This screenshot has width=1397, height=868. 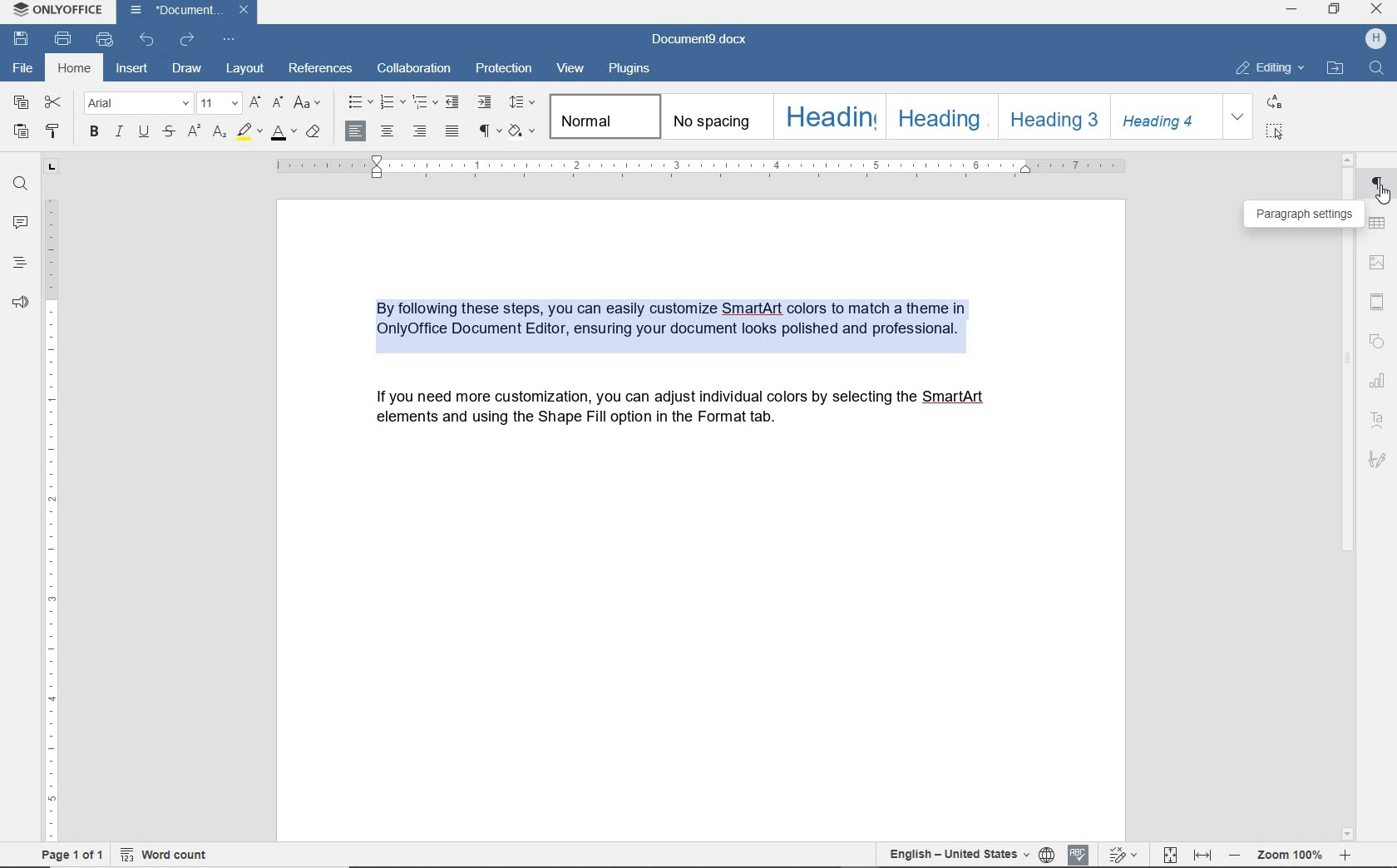 I want to click on scrollbar, so click(x=1346, y=496).